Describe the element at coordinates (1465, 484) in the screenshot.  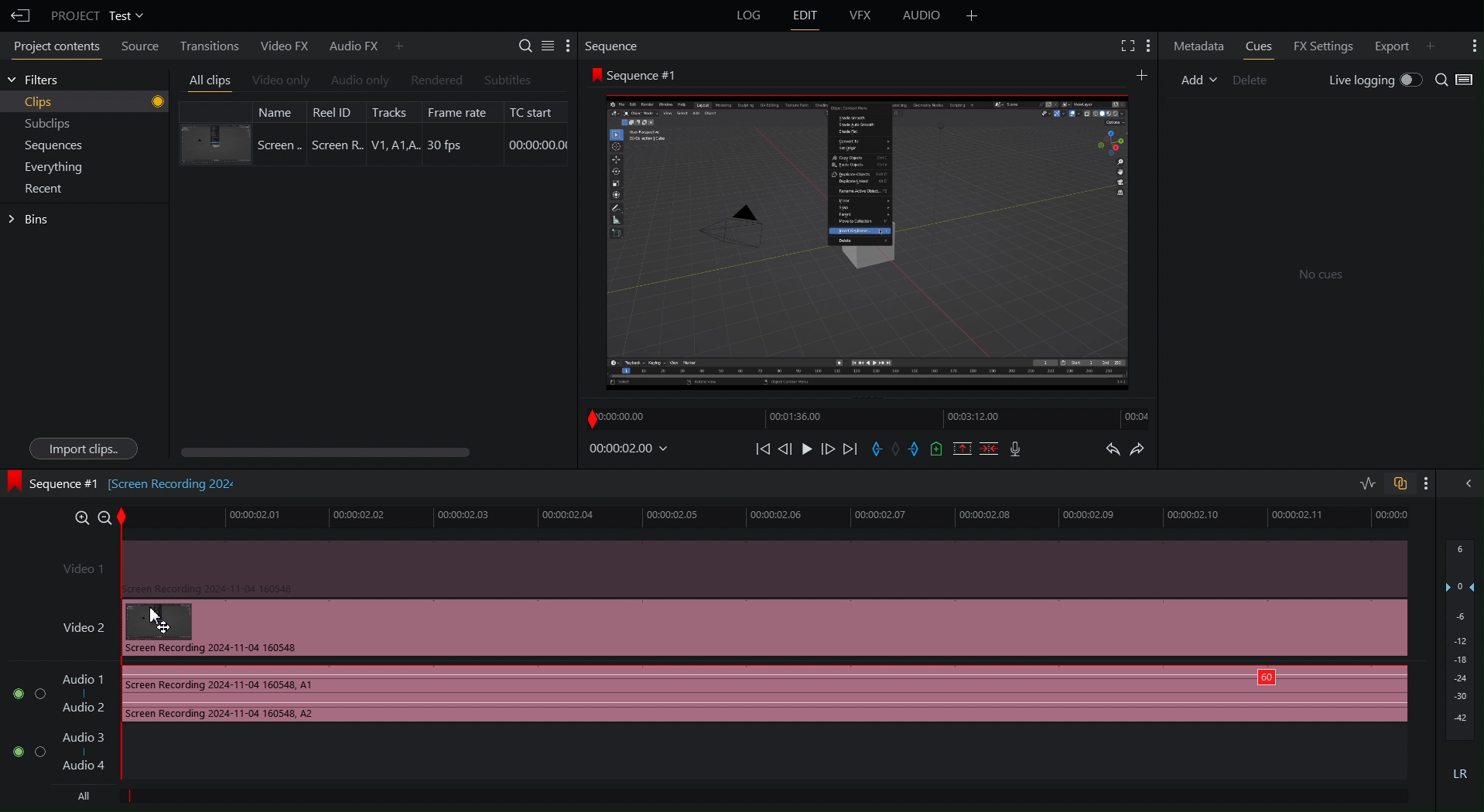
I see `Hide` at that location.